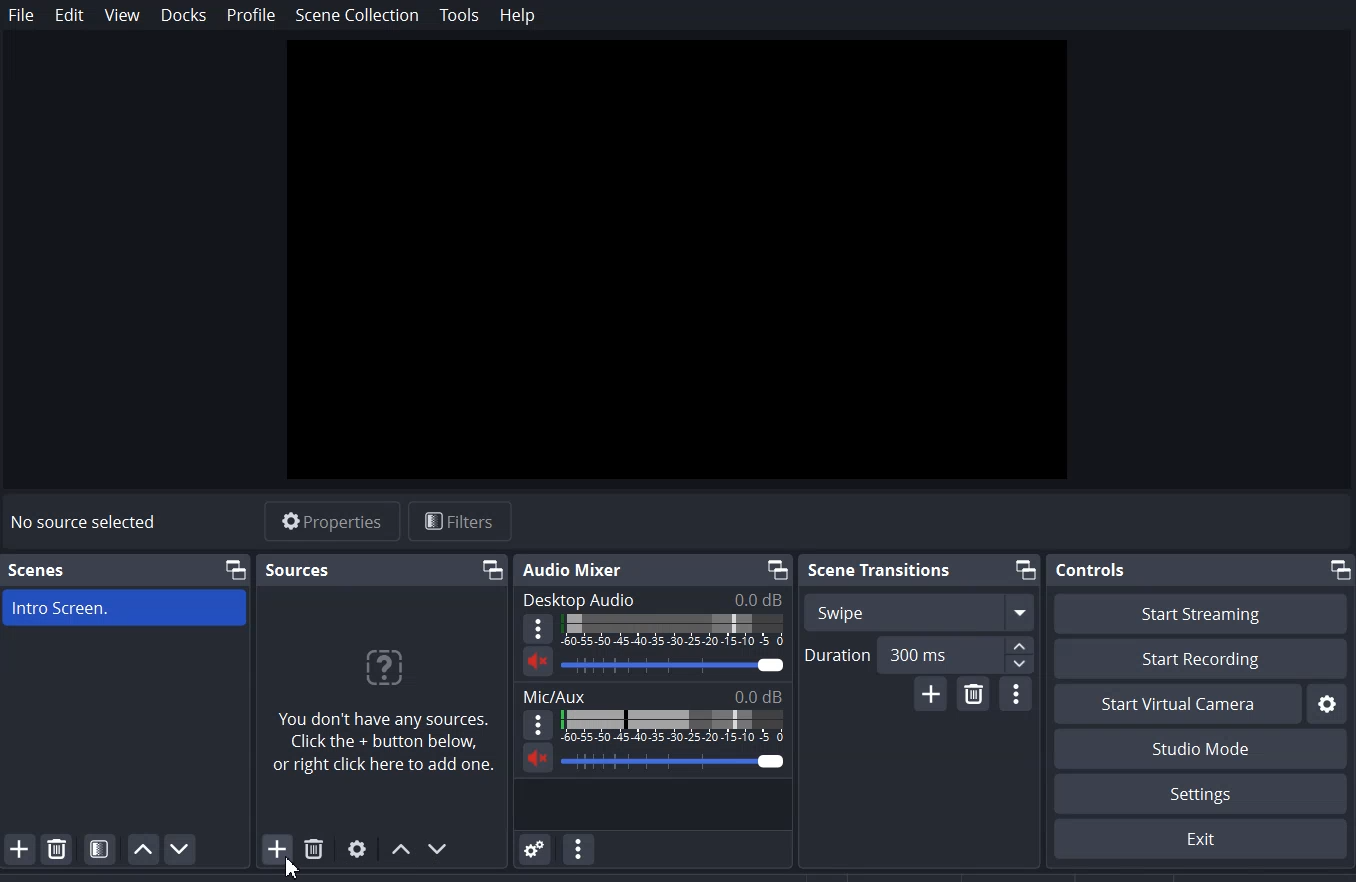 The image size is (1356, 882). What do you see at coordinates (975, 695) in the screenshot?
I see `Remove Configurable transition` at bounding box center [975, 695].